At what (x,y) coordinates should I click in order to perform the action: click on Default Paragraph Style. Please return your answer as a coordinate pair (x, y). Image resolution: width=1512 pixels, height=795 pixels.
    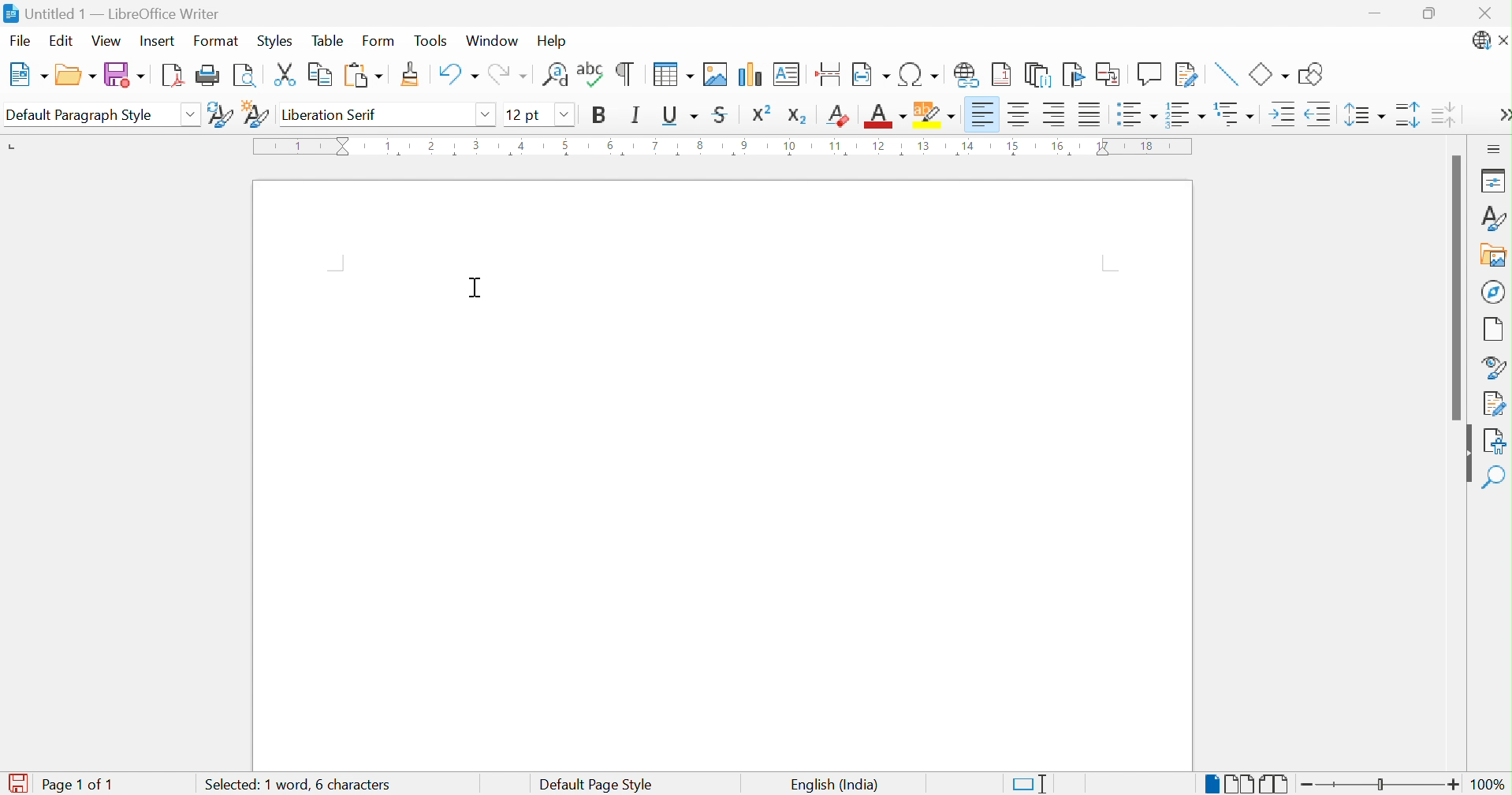
    Looking at the image, I should click on (85, 114).